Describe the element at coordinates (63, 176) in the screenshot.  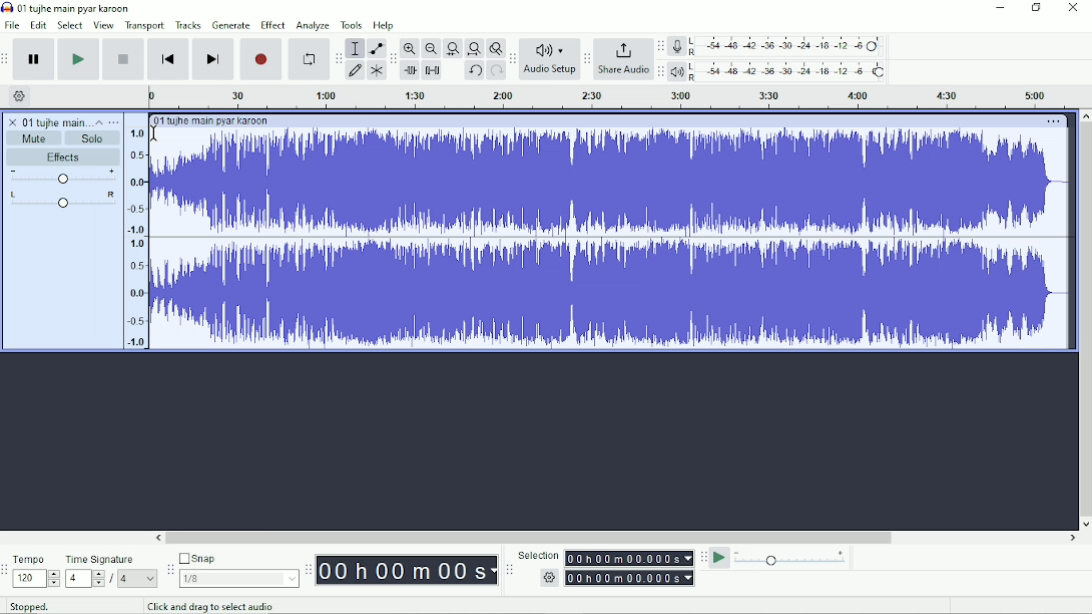
I see `Volume` at that location.